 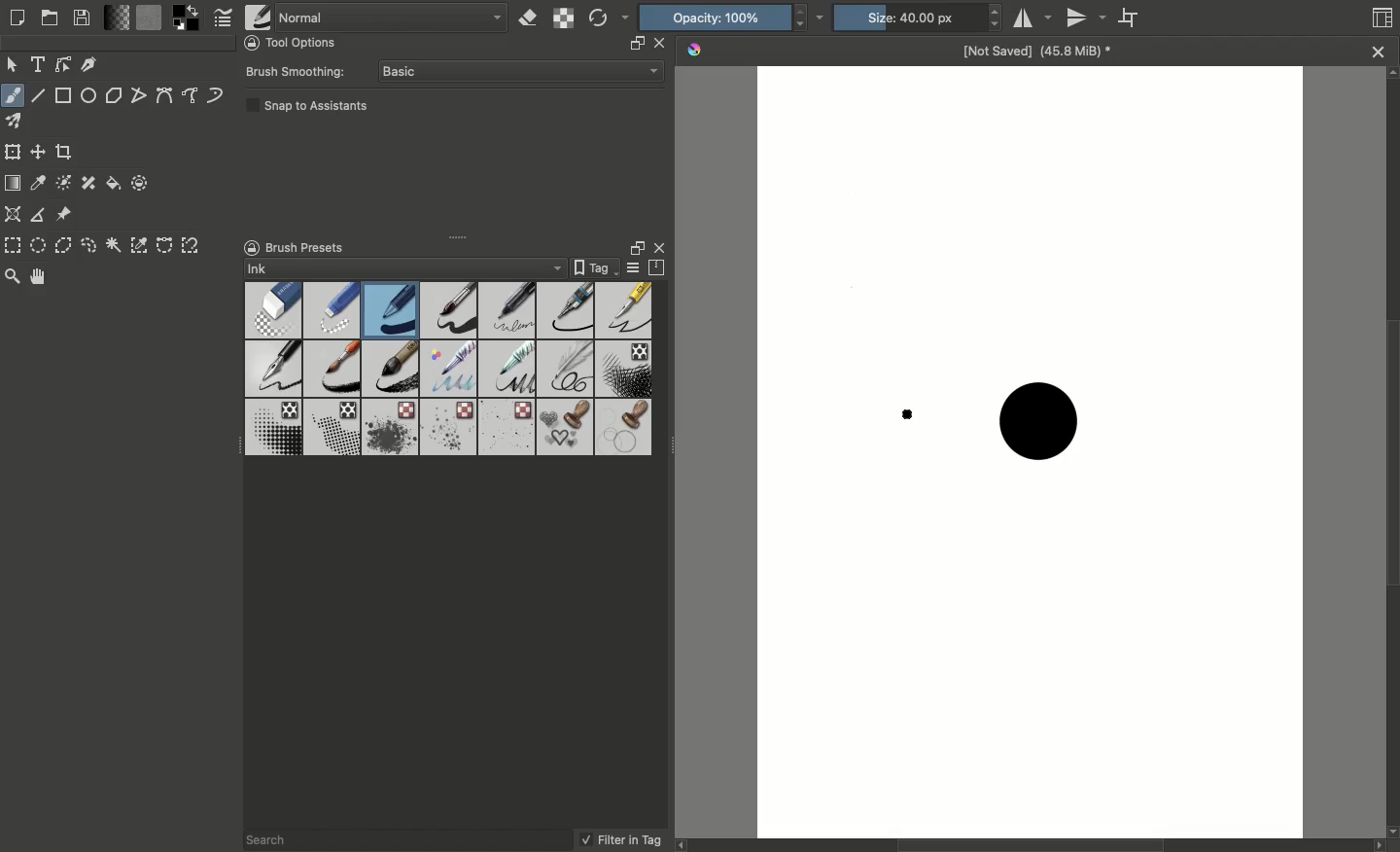 I want to click on Krita, so click(x=695, y=51).